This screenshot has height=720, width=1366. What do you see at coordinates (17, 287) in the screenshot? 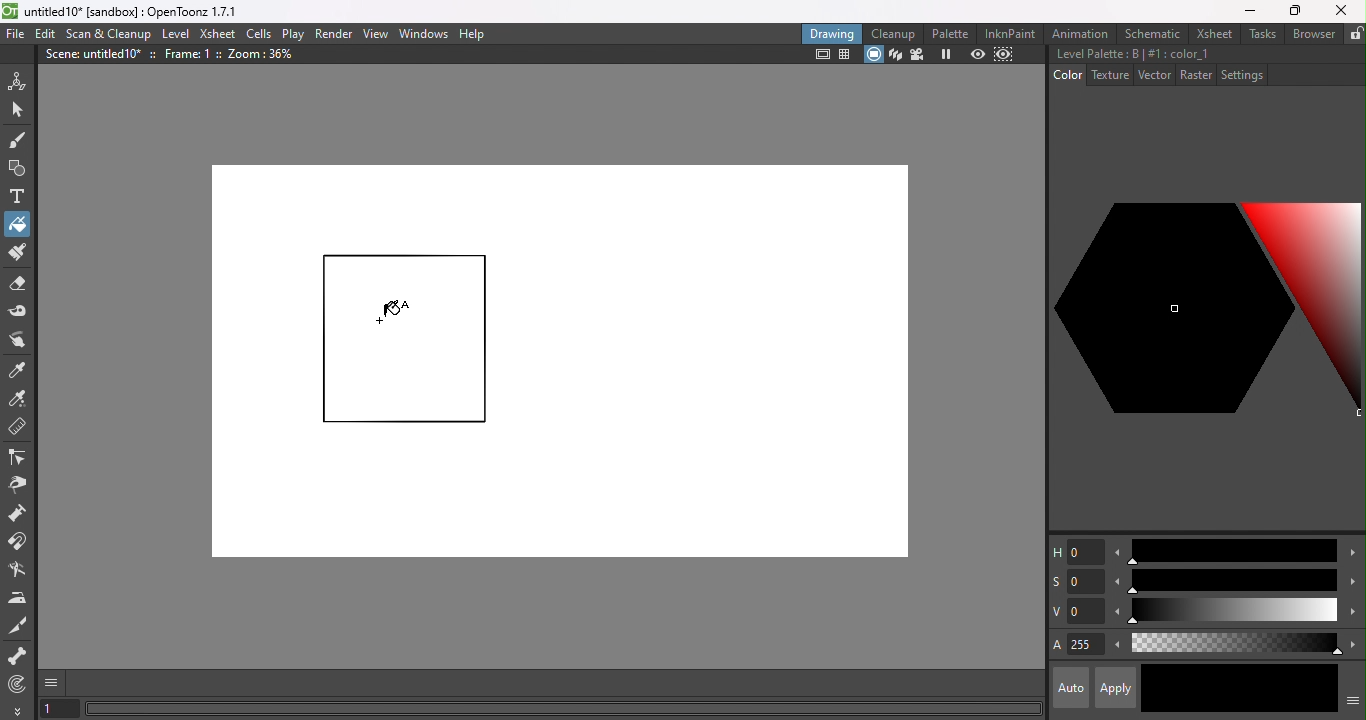
I see `Eraser` at bounding box center [17, 287].